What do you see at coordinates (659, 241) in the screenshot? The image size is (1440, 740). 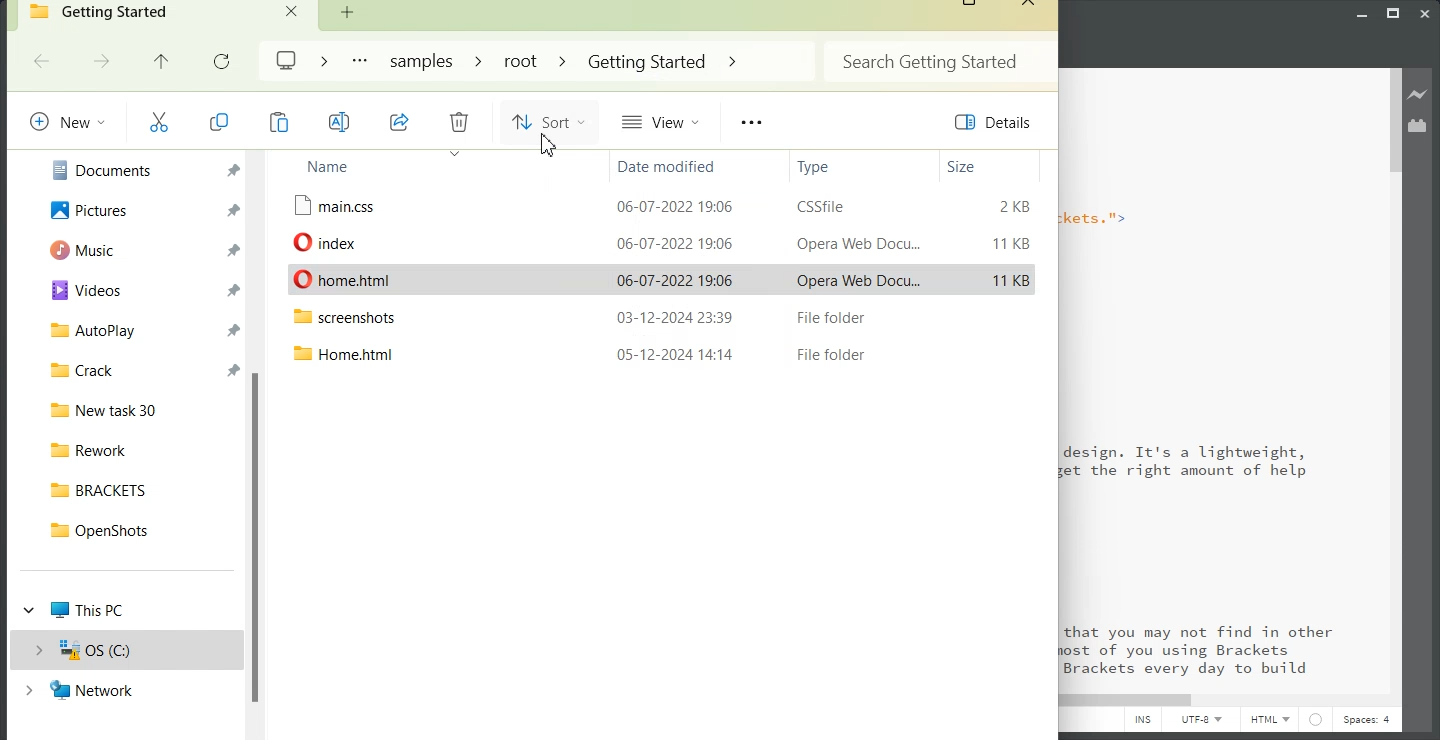 I see `File` at bounding box center [659, 241].